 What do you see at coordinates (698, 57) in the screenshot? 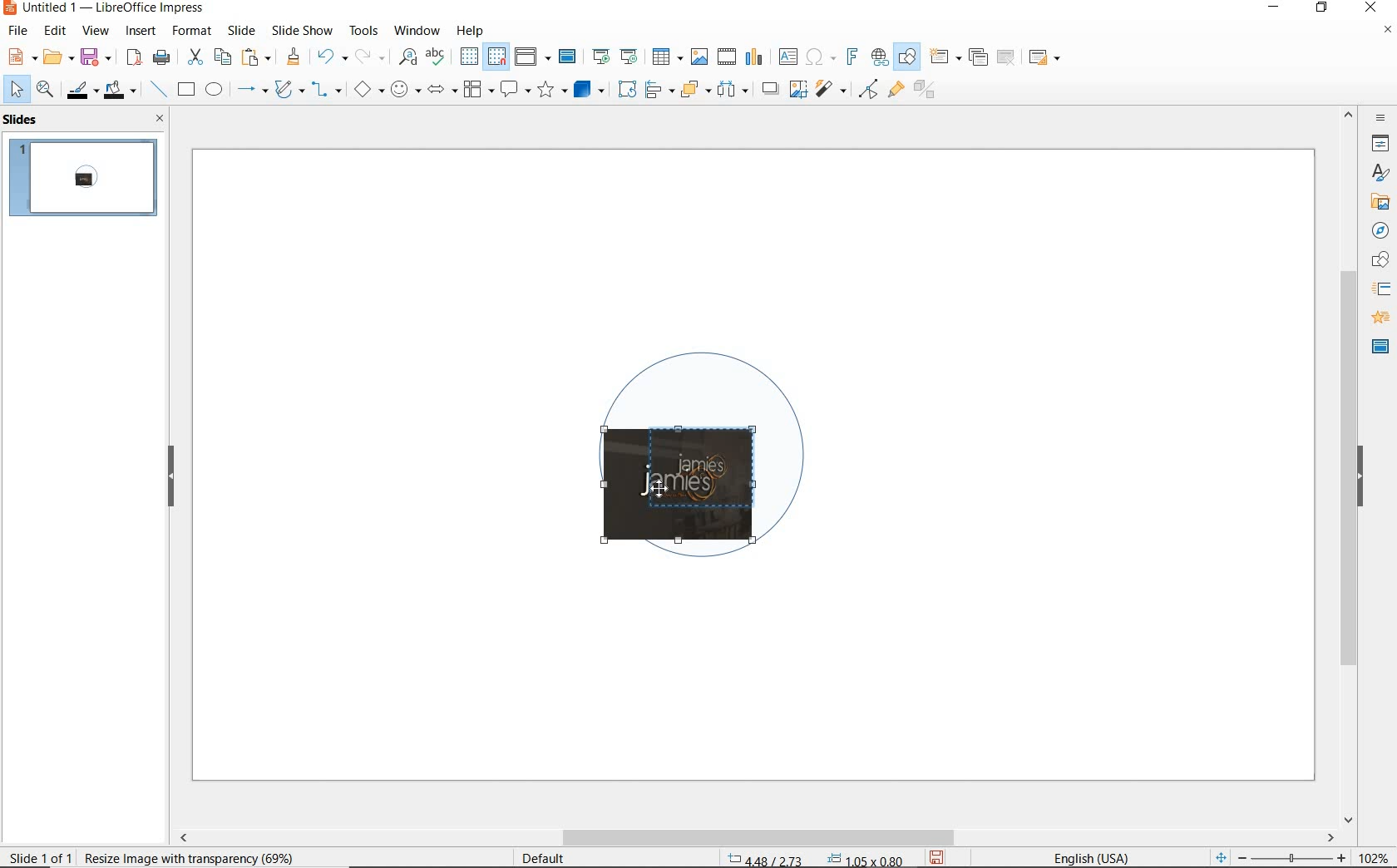
I see `insert image` at bounding box center [698, 57].